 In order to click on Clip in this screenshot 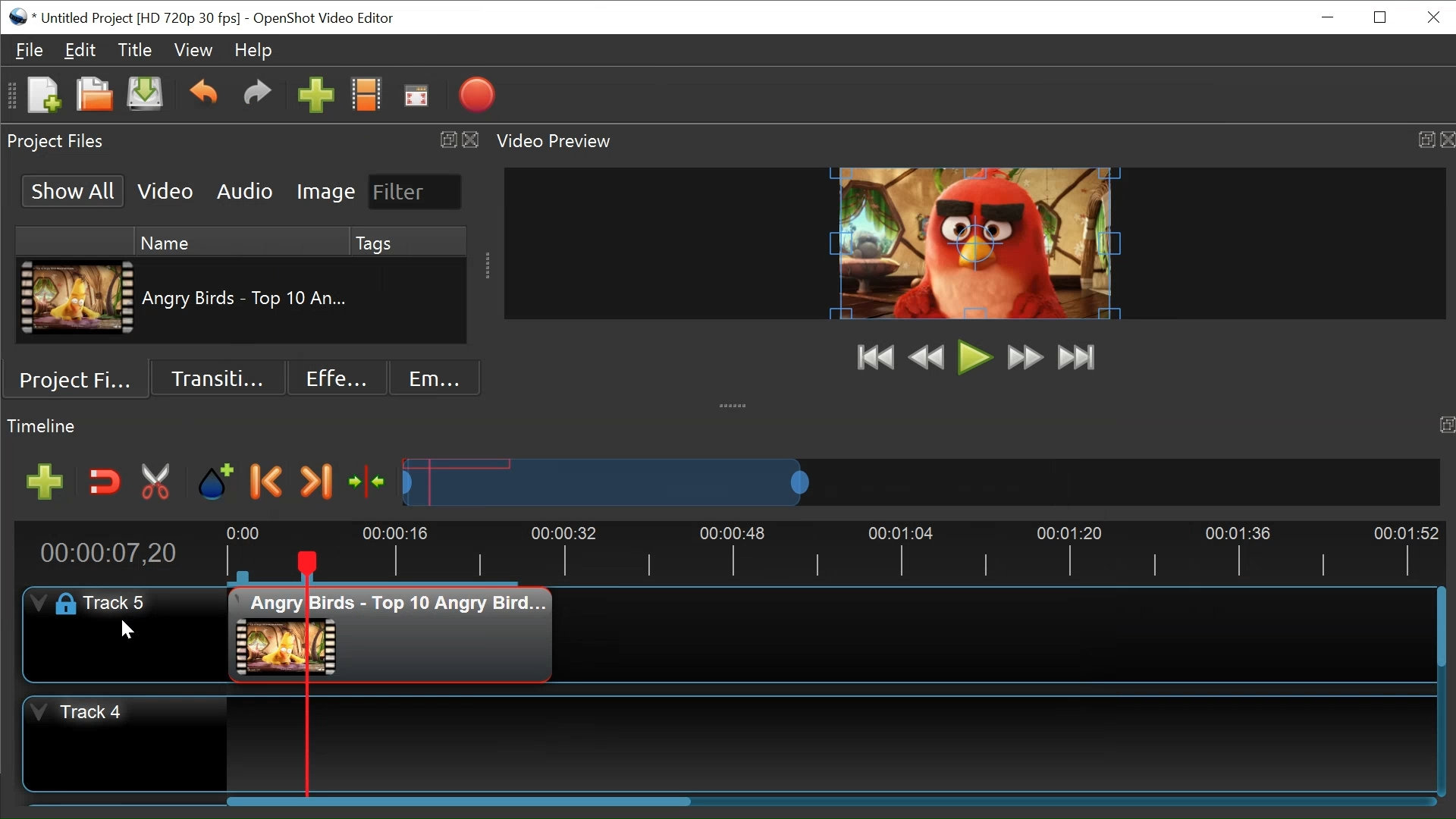, I will do `click(75, 298)`.